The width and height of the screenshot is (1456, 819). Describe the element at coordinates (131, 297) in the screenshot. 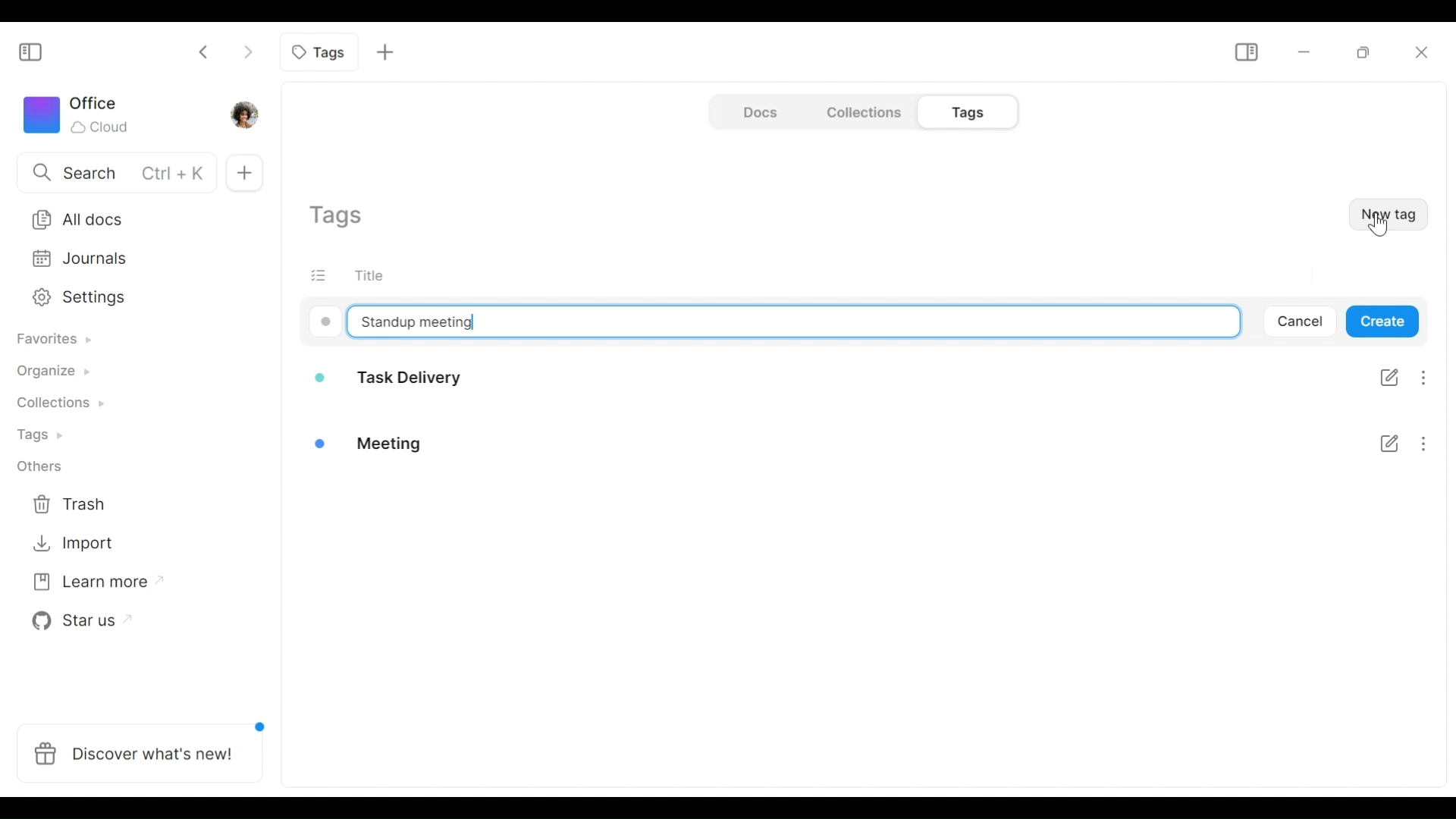

I see `Settings` at that location.